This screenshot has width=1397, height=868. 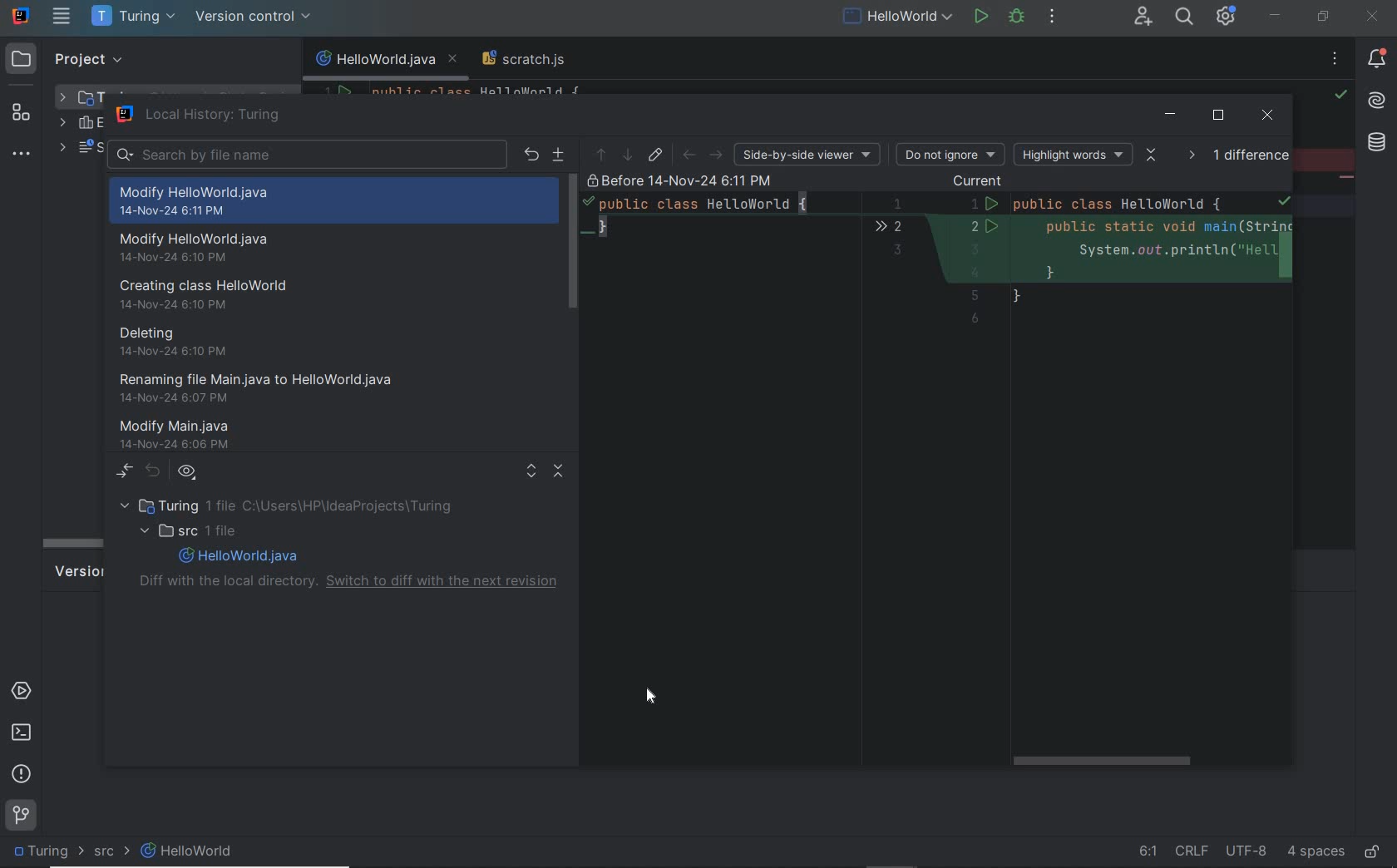 I want to click on close, so click(x=1371, y=16).